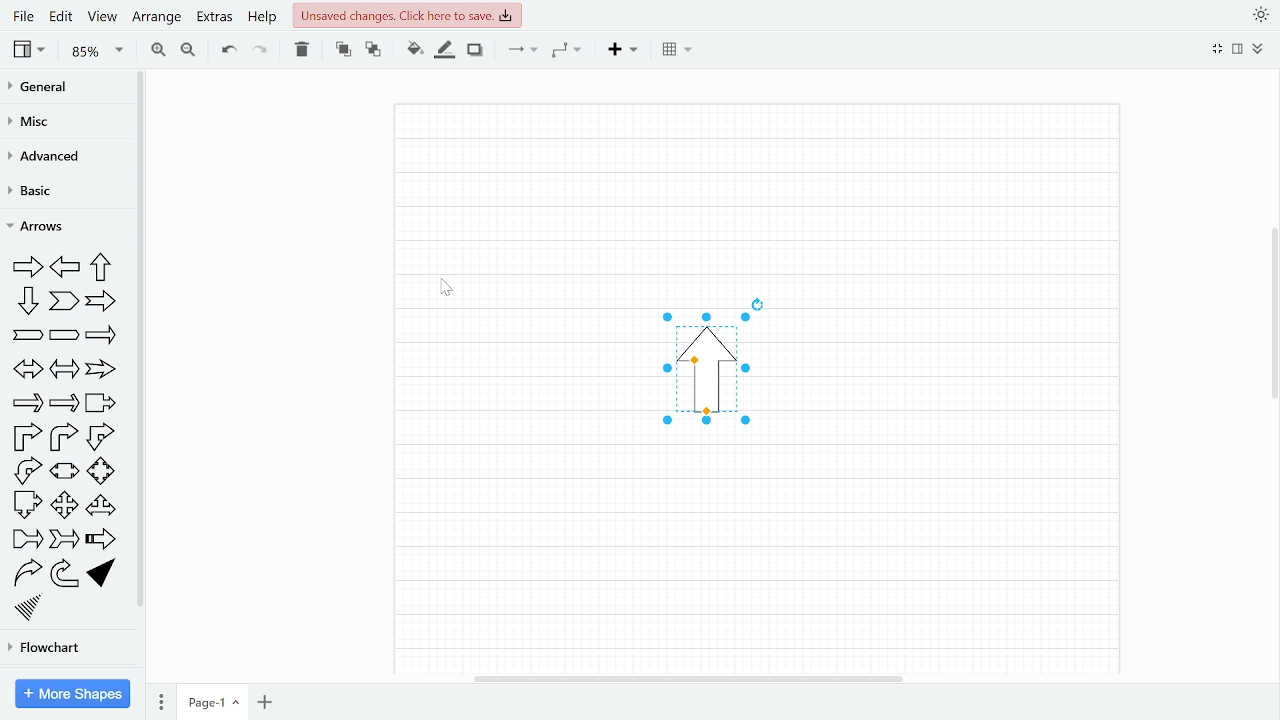 Image resolution: width=1280 pixels, height=720 pixels. What do you see at coordinates (1257, 16) in the screenshot?
I see `Appearence` at bounding box center [1257, 16].